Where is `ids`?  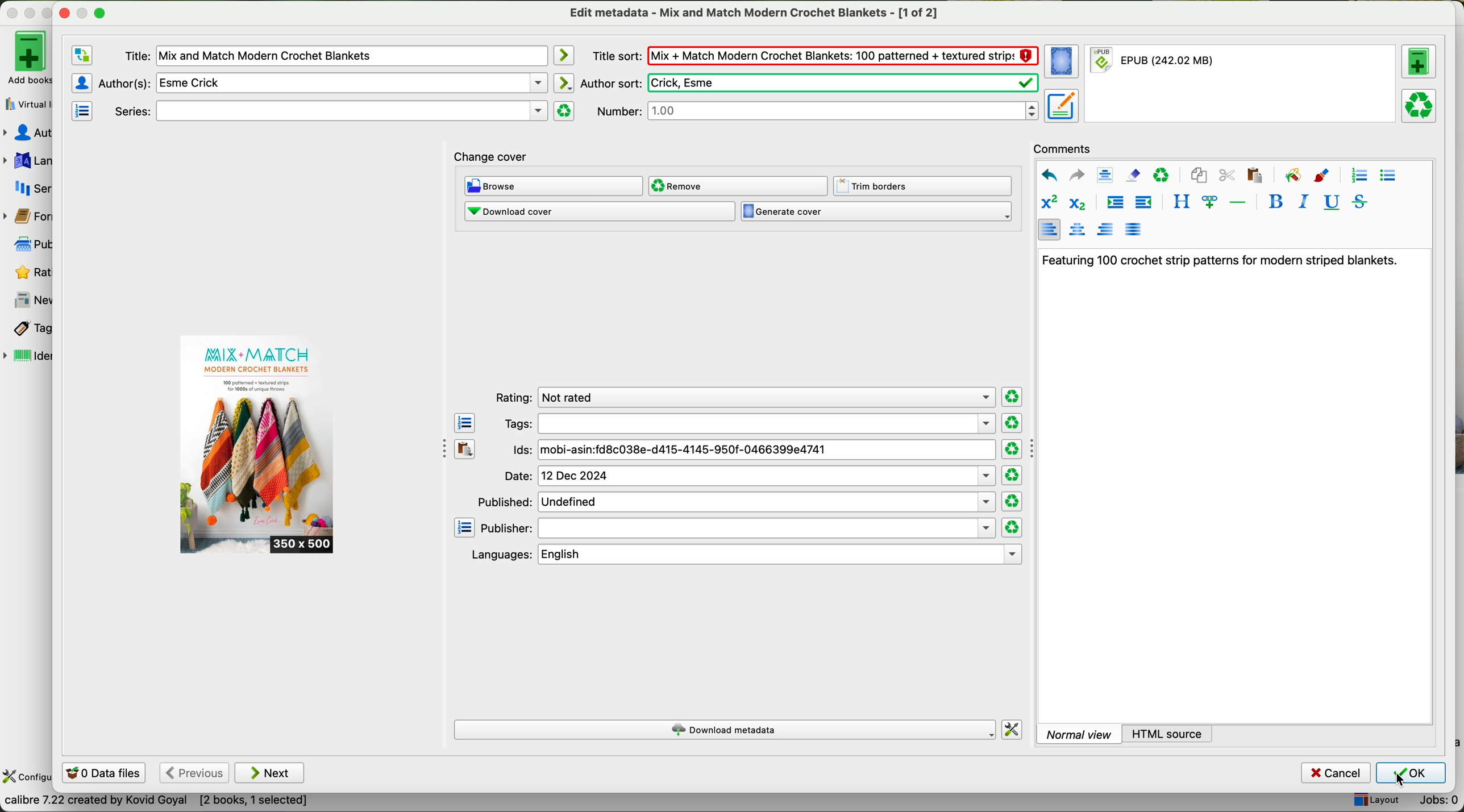 ids is located at coordinates (753, 451).